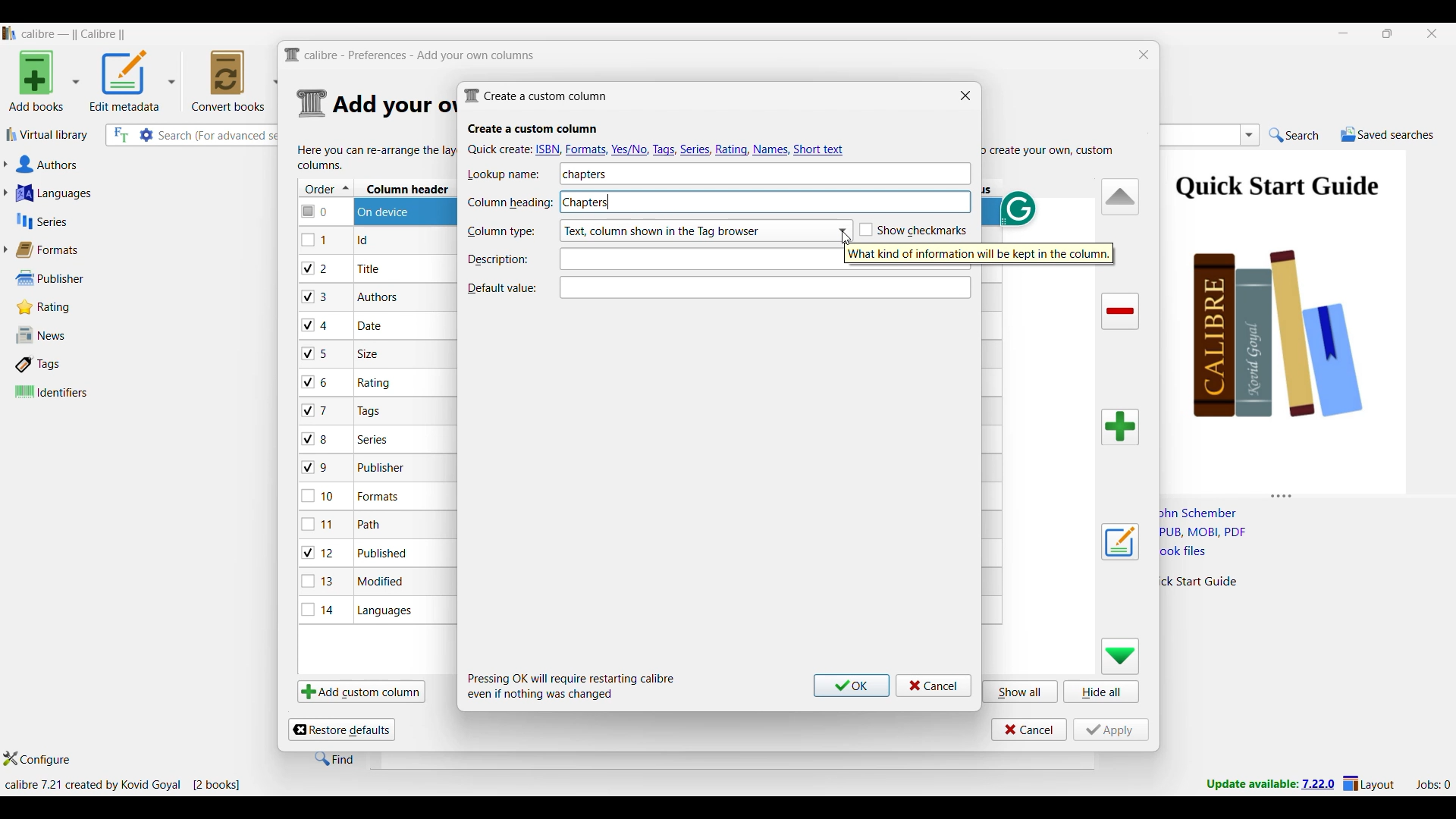 This screenshot has width=1456, height=819. I want to click on Close interface, so click(1432, 33).